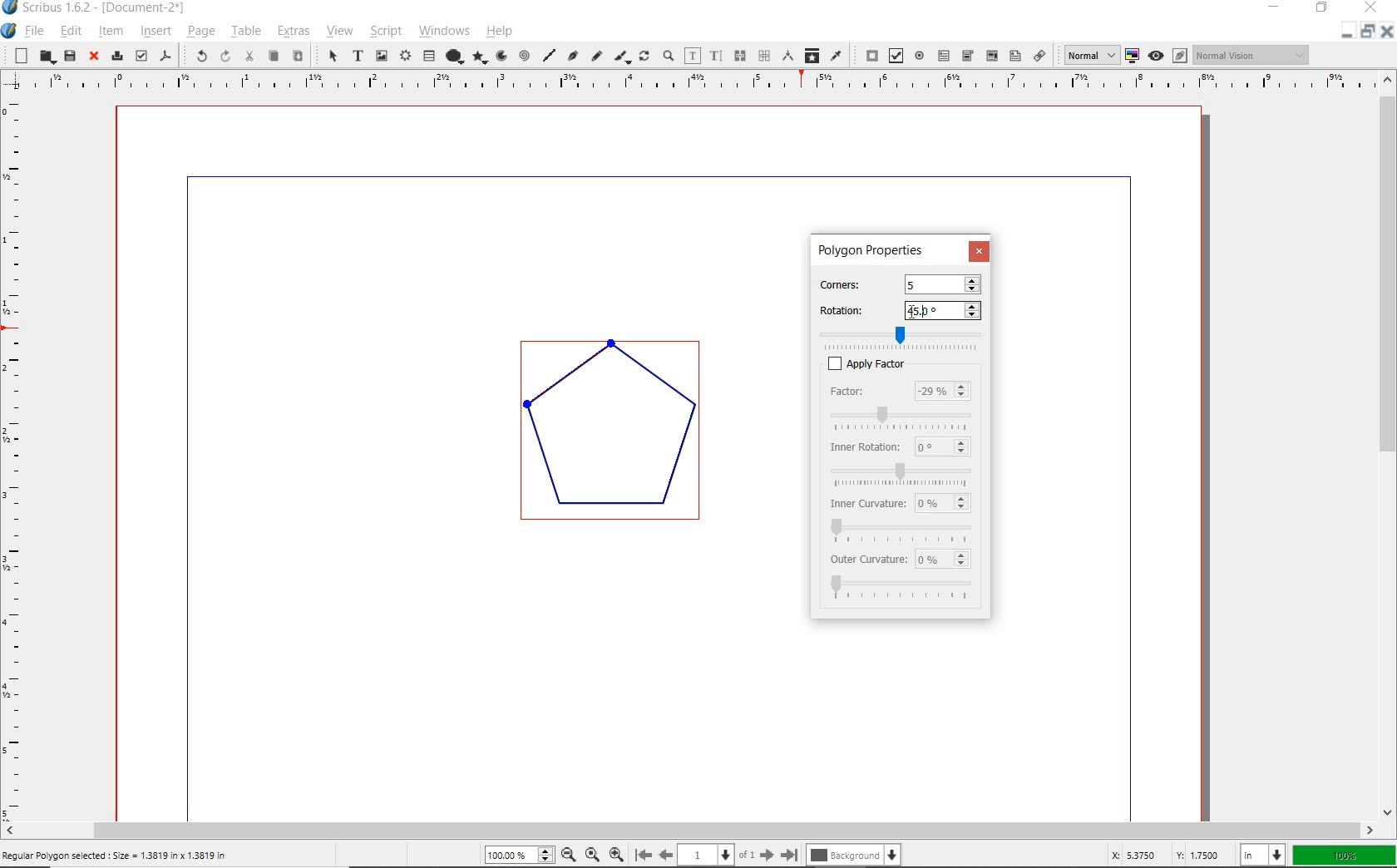  What do you see at coordinates (941, 284) in the screenshot?
I see `Input corners` at bounding box center [941, 284].